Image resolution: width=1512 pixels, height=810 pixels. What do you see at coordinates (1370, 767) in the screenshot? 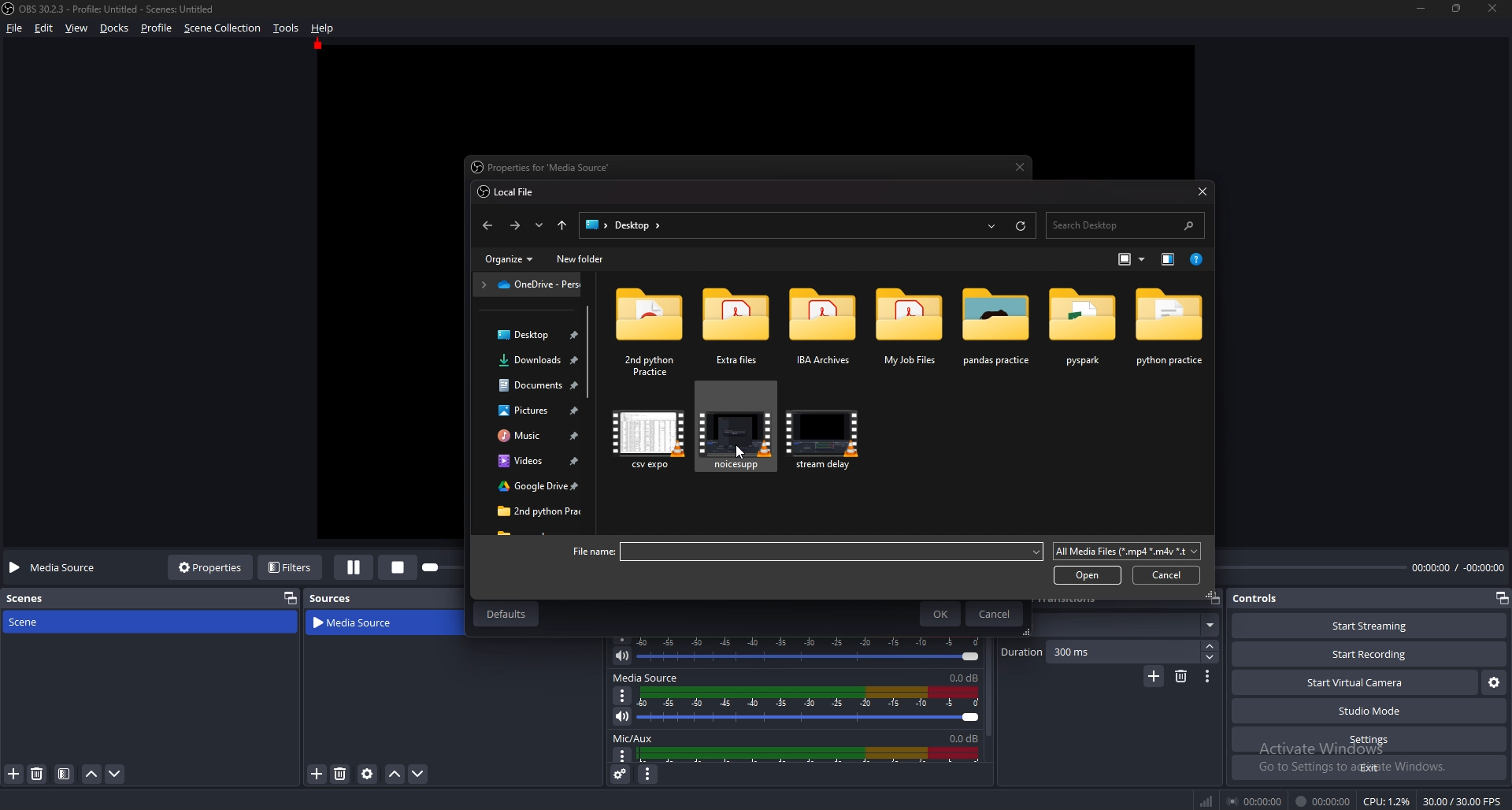
I see ` Exit` at bounding box center [1370, 767].